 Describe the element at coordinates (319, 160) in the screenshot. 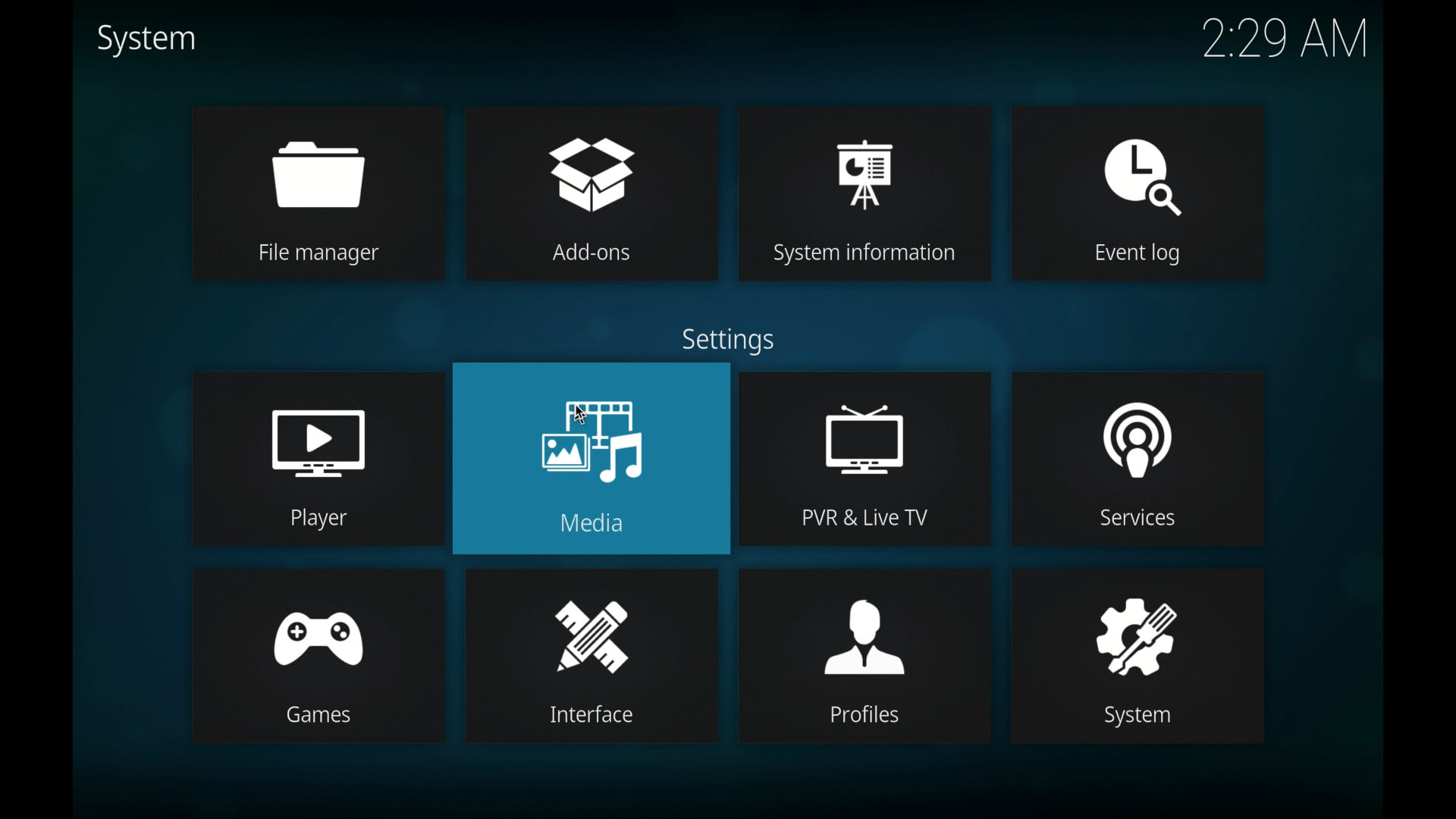

I see `file manager` at that location.